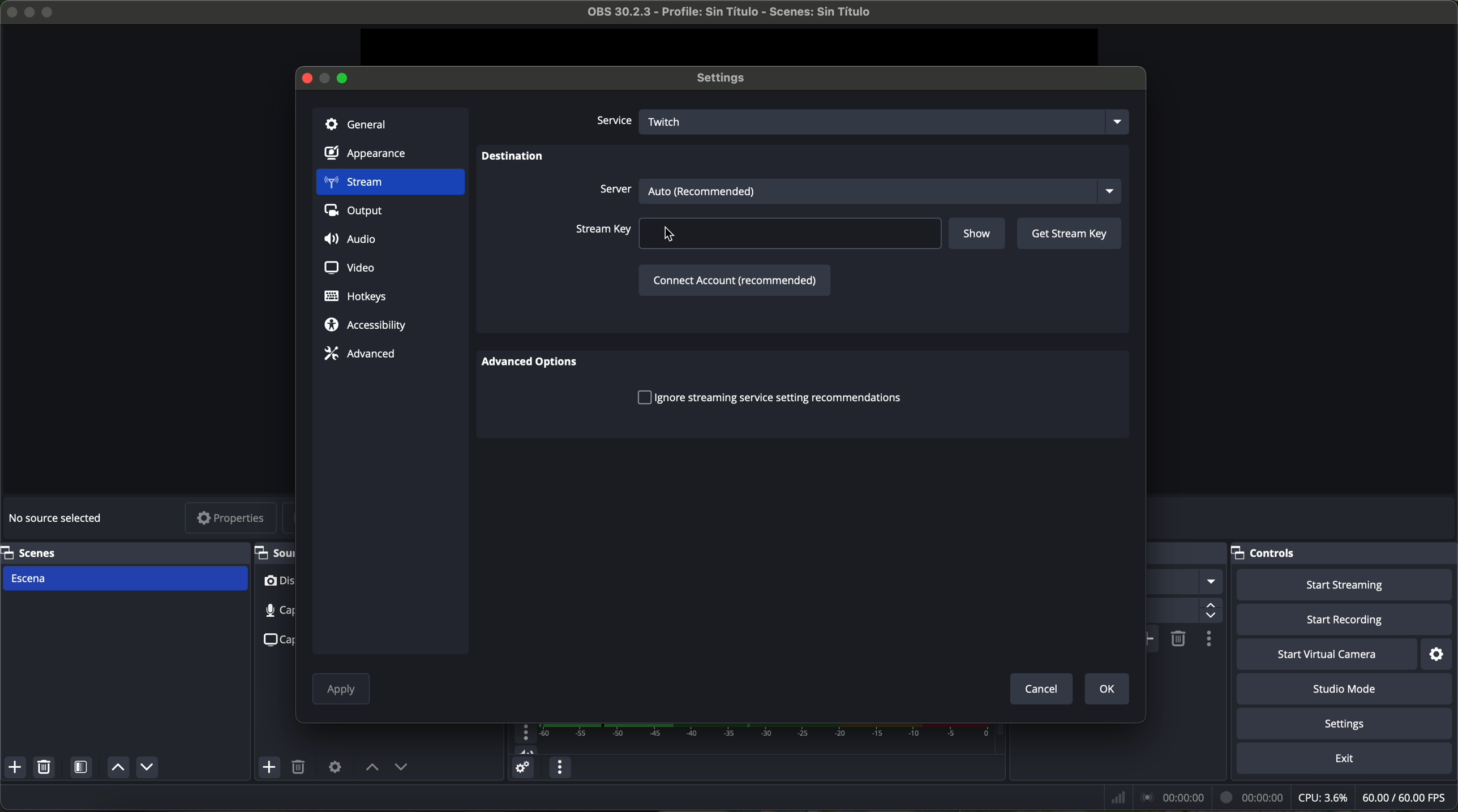 The width and height of the screenshot is (1458, 812). Describe the element at coordinates (348, 266) in the screenshot. I see `video` at that location.